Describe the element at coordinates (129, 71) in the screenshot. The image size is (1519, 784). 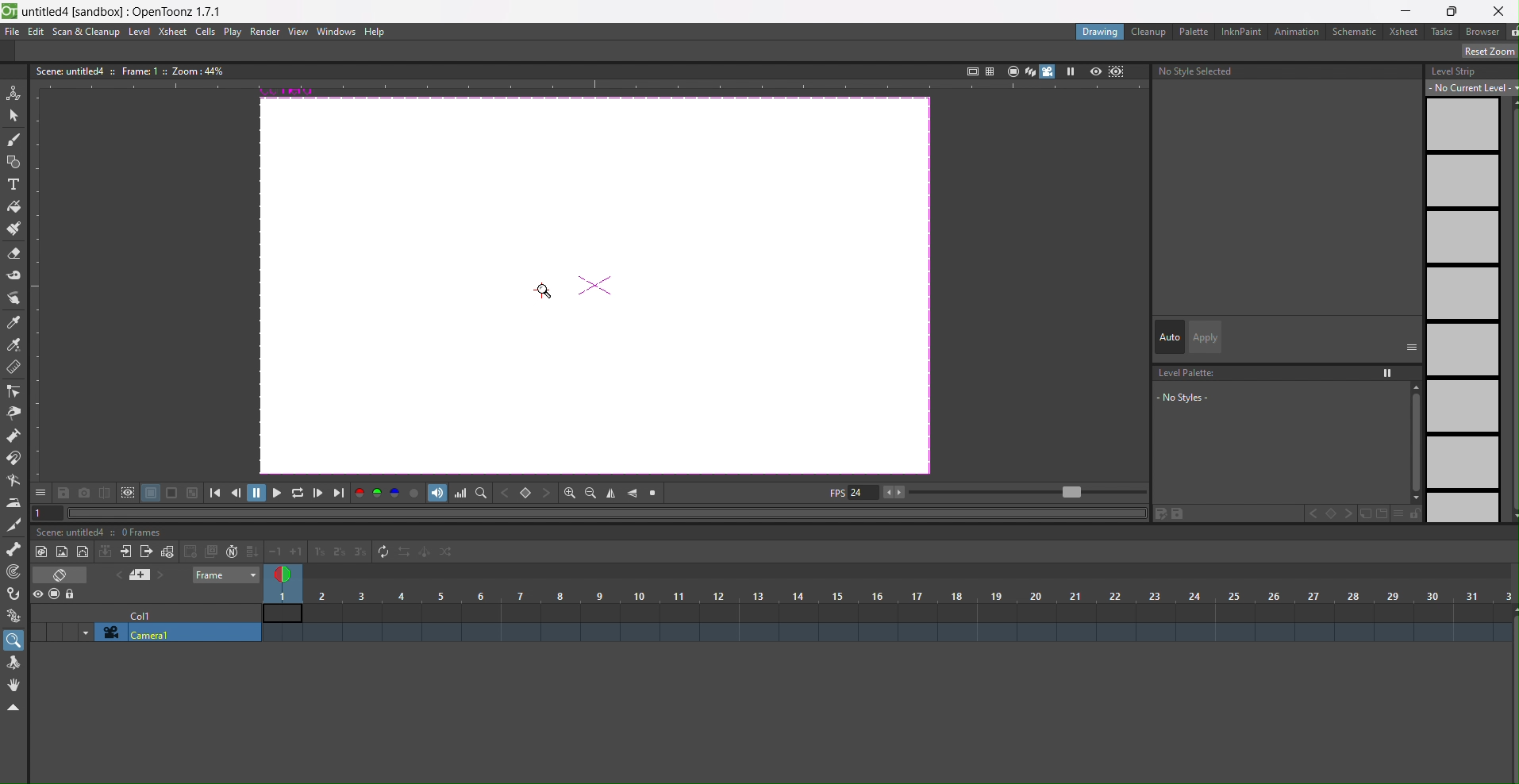
I see `text` at that location.